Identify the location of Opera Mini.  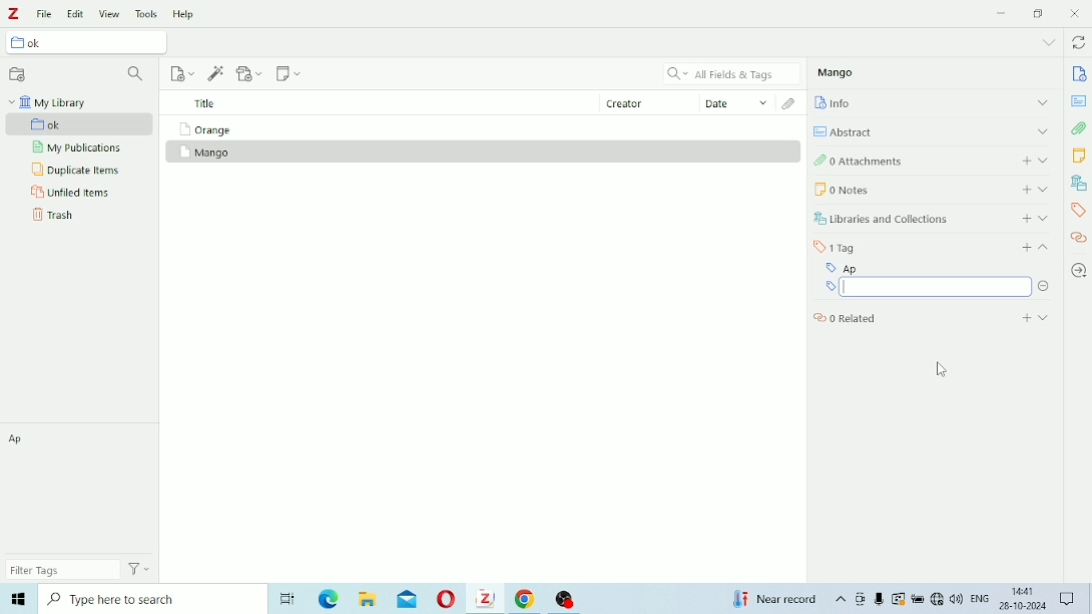
(448, 598).